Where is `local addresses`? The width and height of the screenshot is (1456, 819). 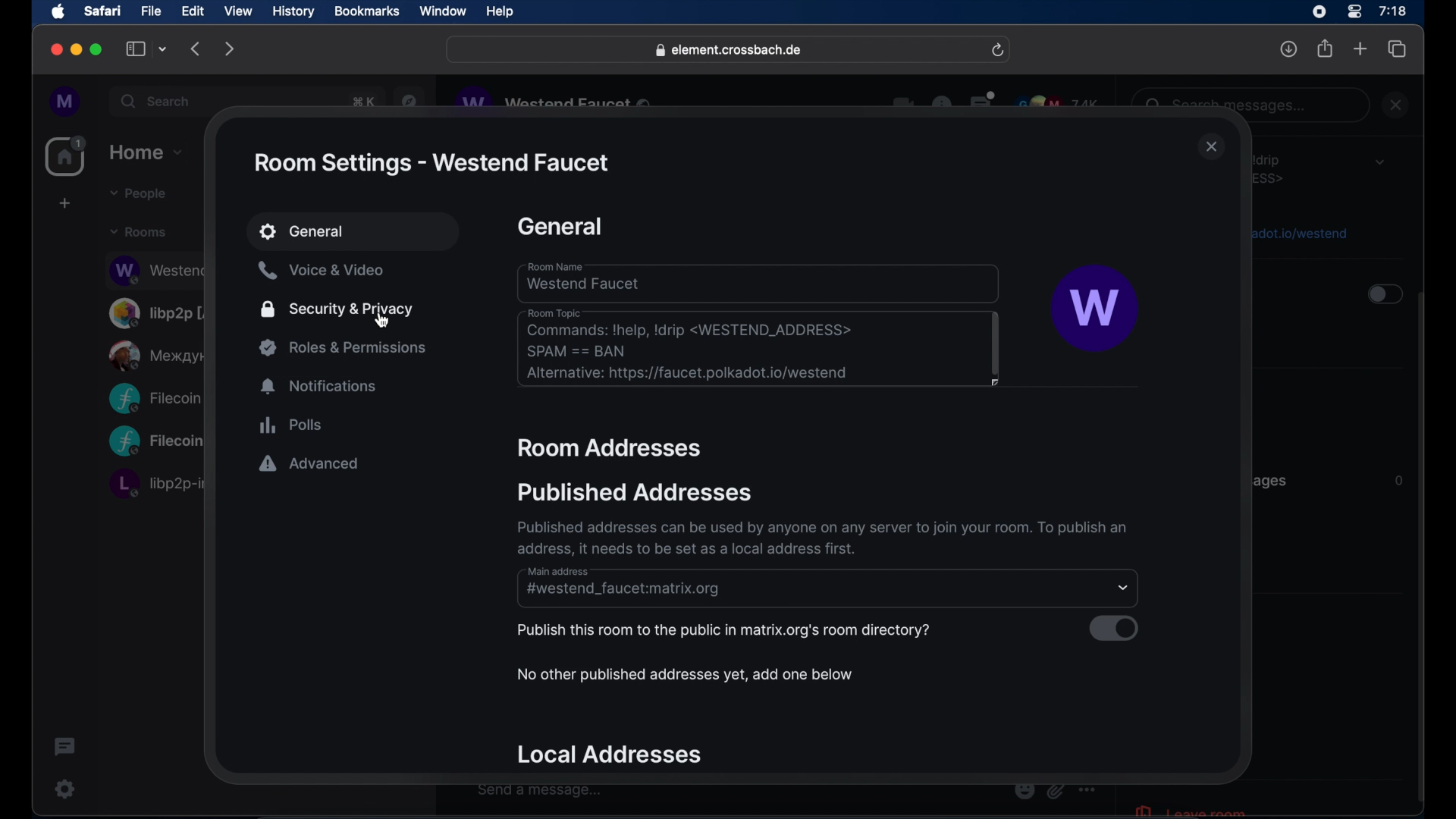 local addresses is located at coordinates (611, 755).